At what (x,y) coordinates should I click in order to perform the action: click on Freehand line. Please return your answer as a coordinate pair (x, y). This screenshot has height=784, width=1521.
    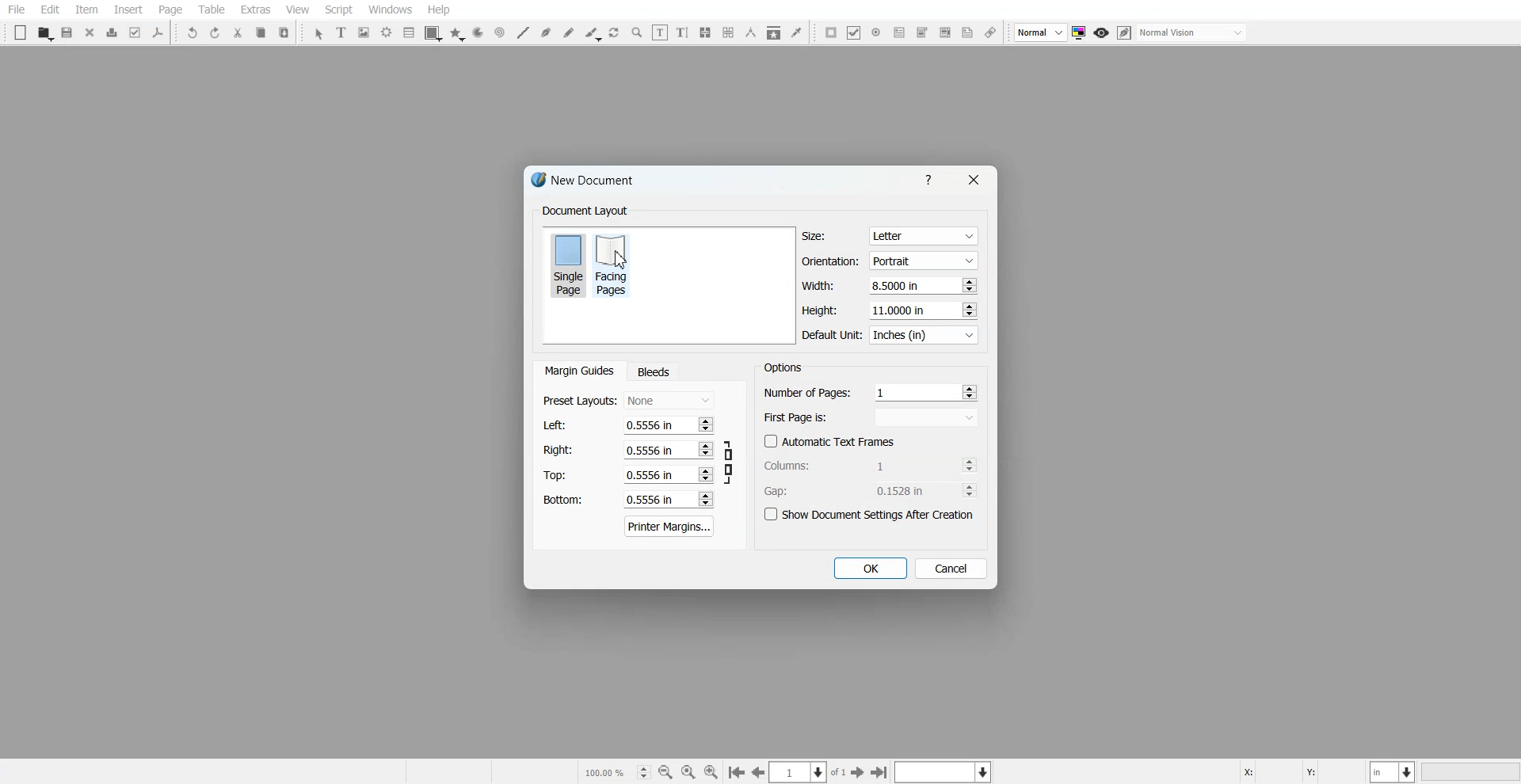
    Looking at the image, I should click on (569, 32).